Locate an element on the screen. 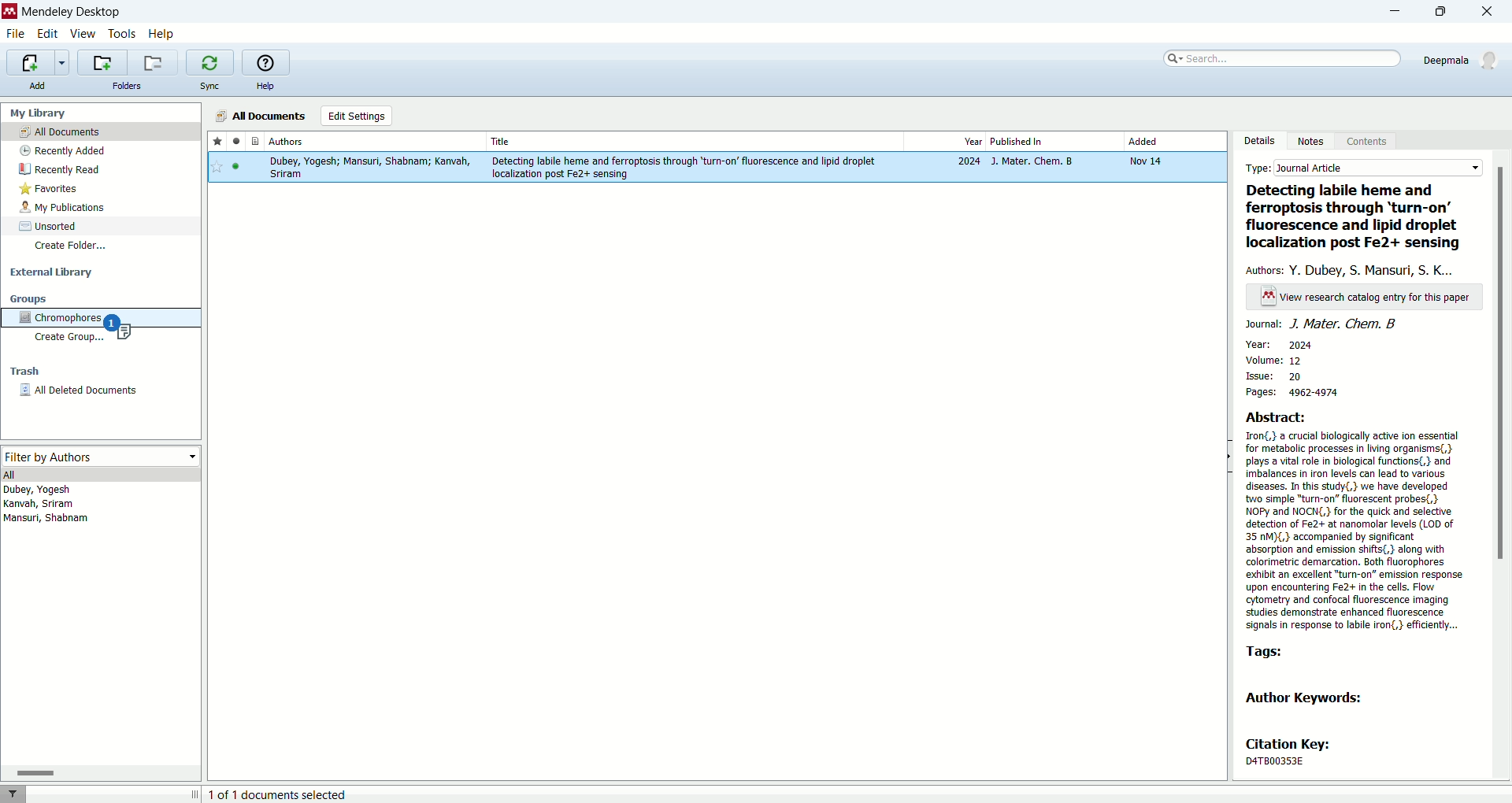 This screenshot has height=803, width=1512. issue: 20 is located at coordinates (1278, 377).